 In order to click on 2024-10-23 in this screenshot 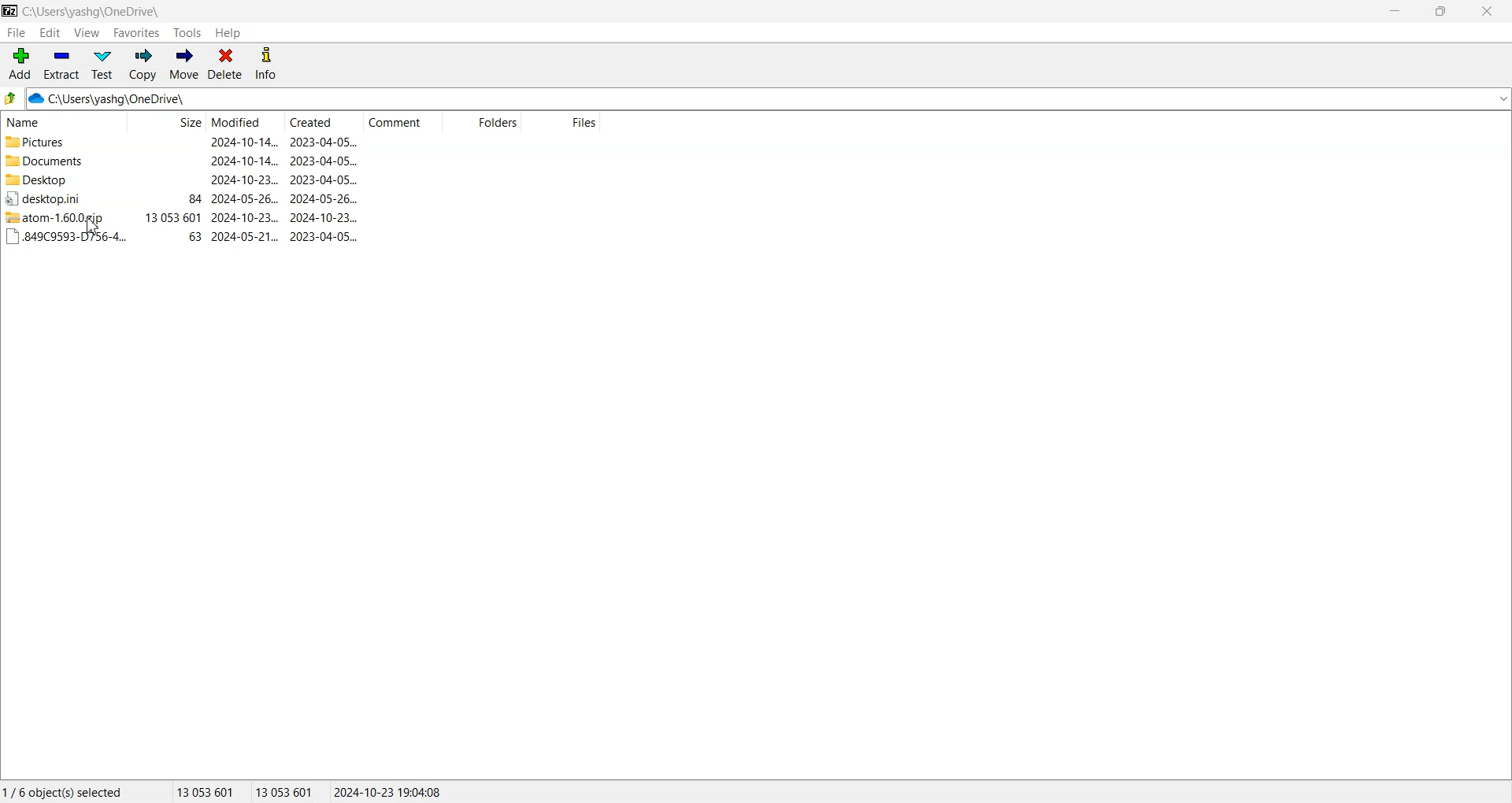, I will do `click(245, 217)`.